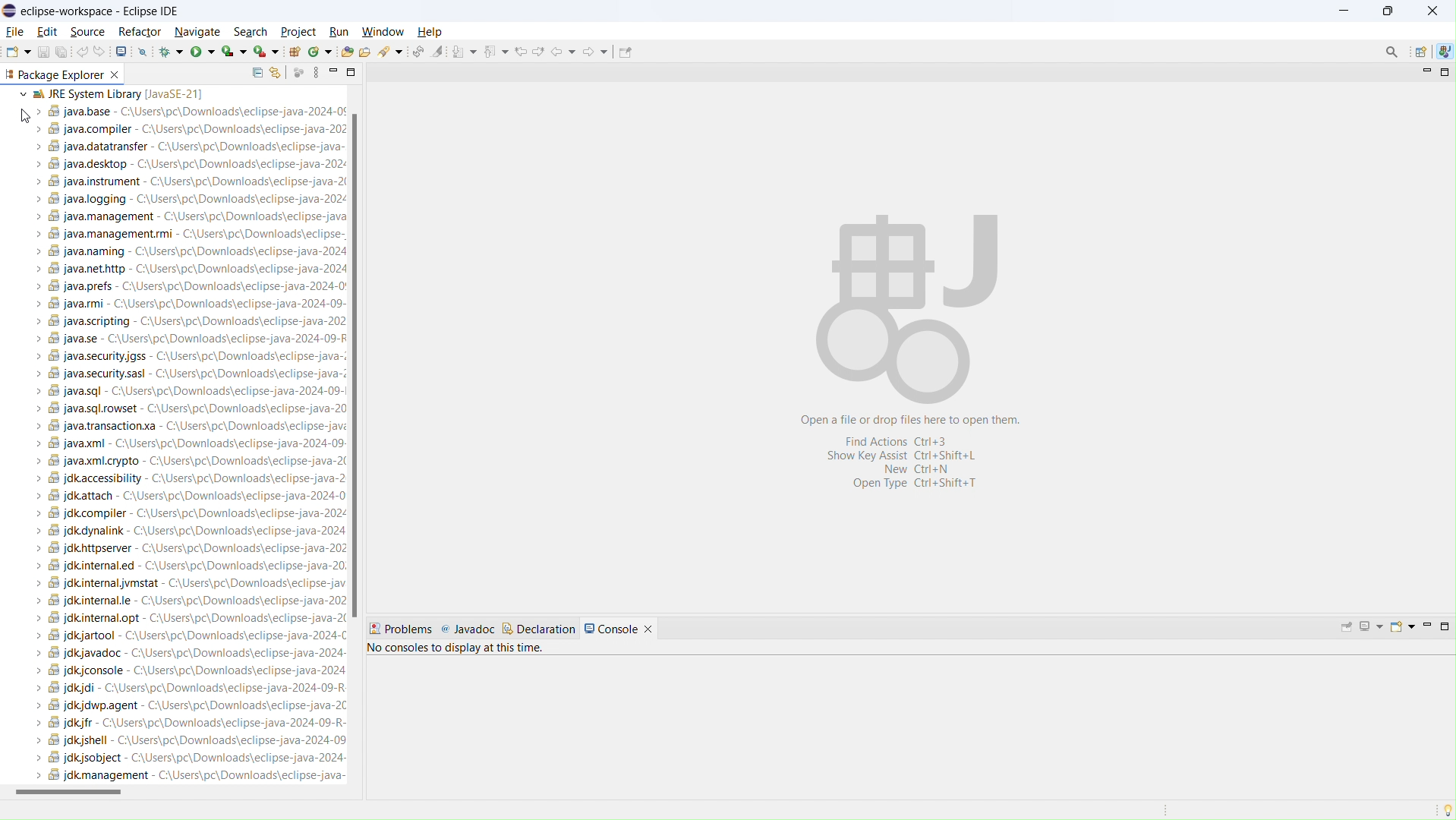 This screenshot has height=820, width=1456. I want to click on eclipse-workspace-Eclipse IDE, so click(99, 10).